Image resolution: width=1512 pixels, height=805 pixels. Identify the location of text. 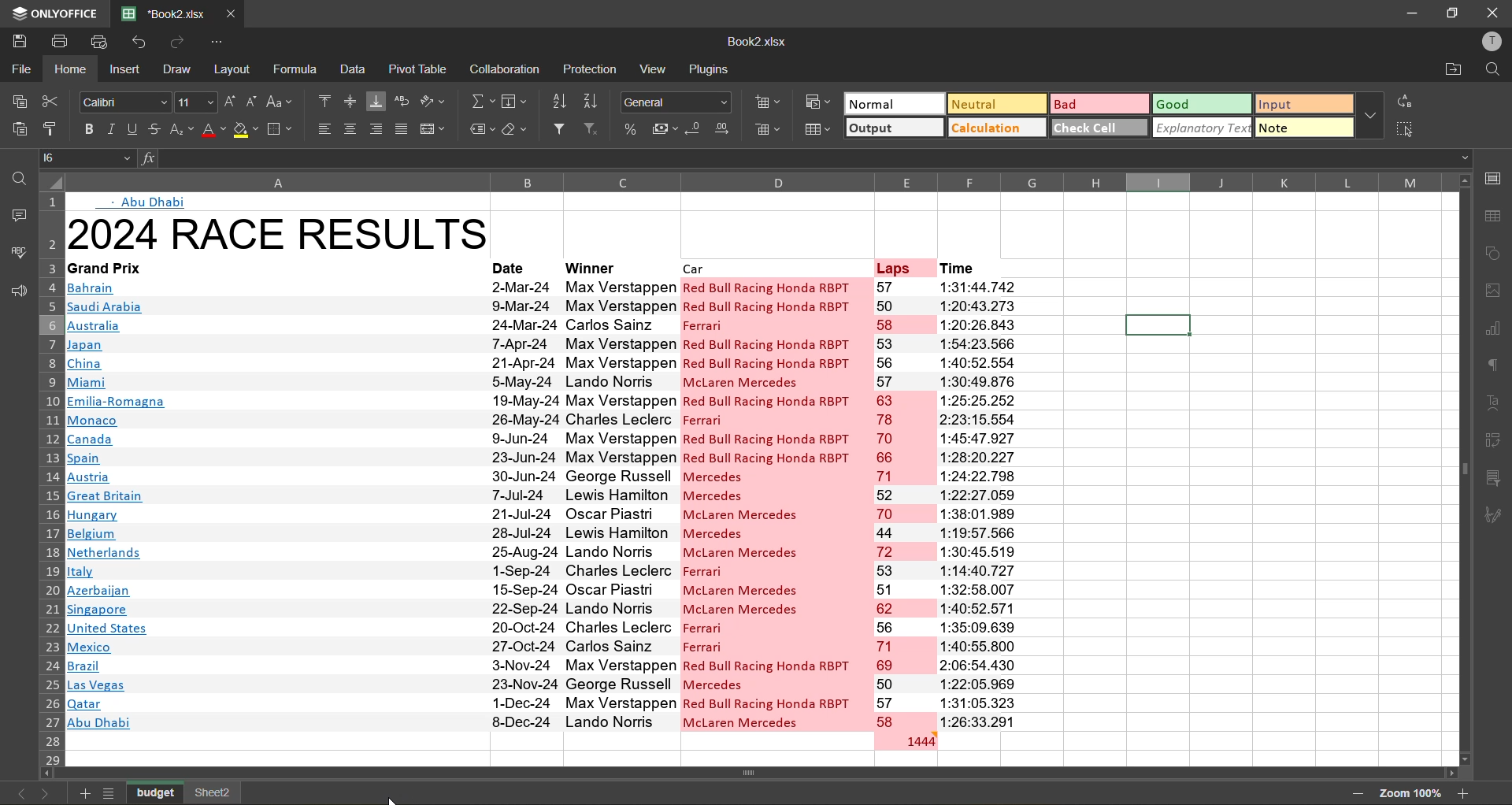
(144, 201).